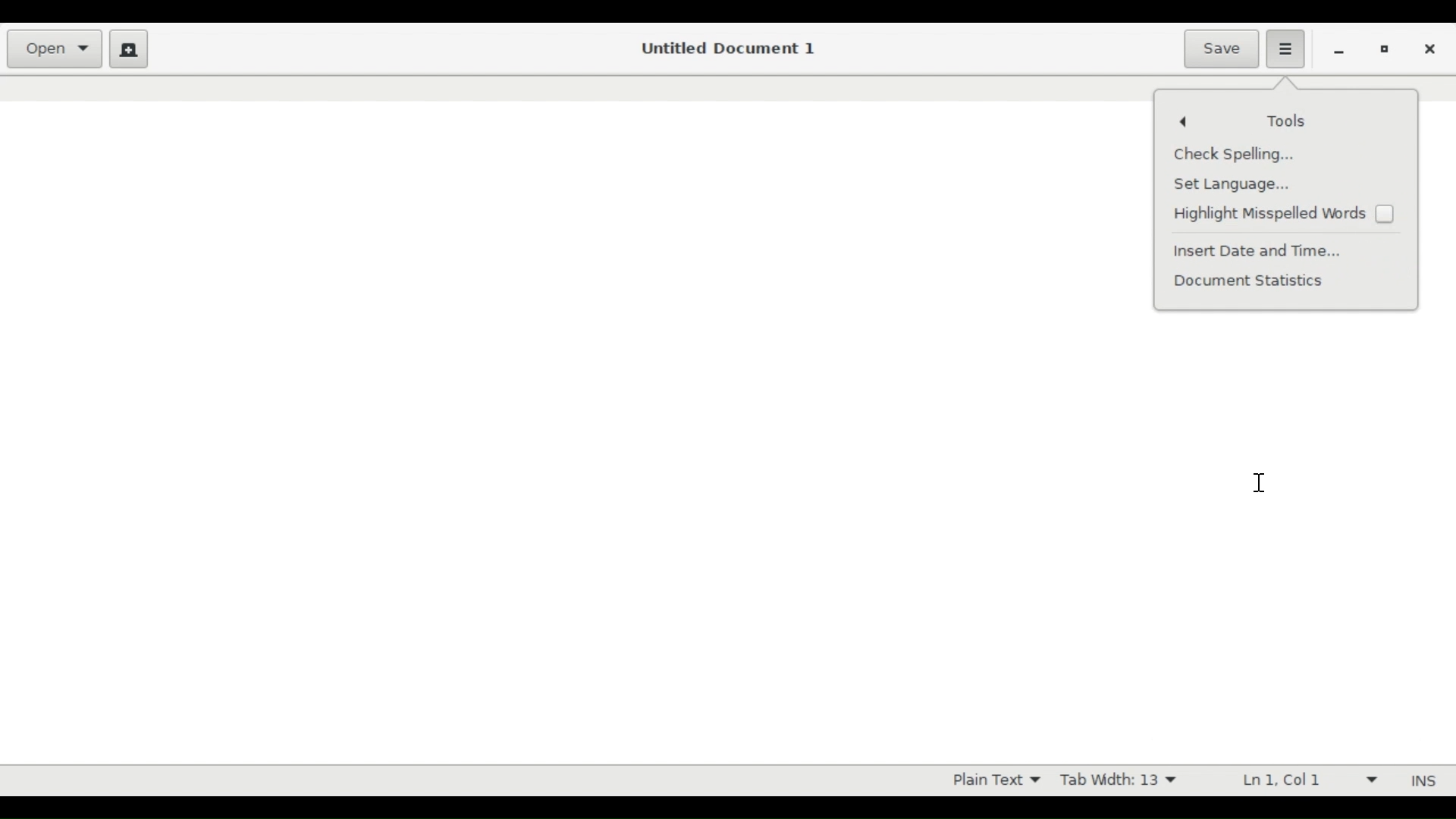  I want to click on Ln 1 Col 1, so click(1301, 779).